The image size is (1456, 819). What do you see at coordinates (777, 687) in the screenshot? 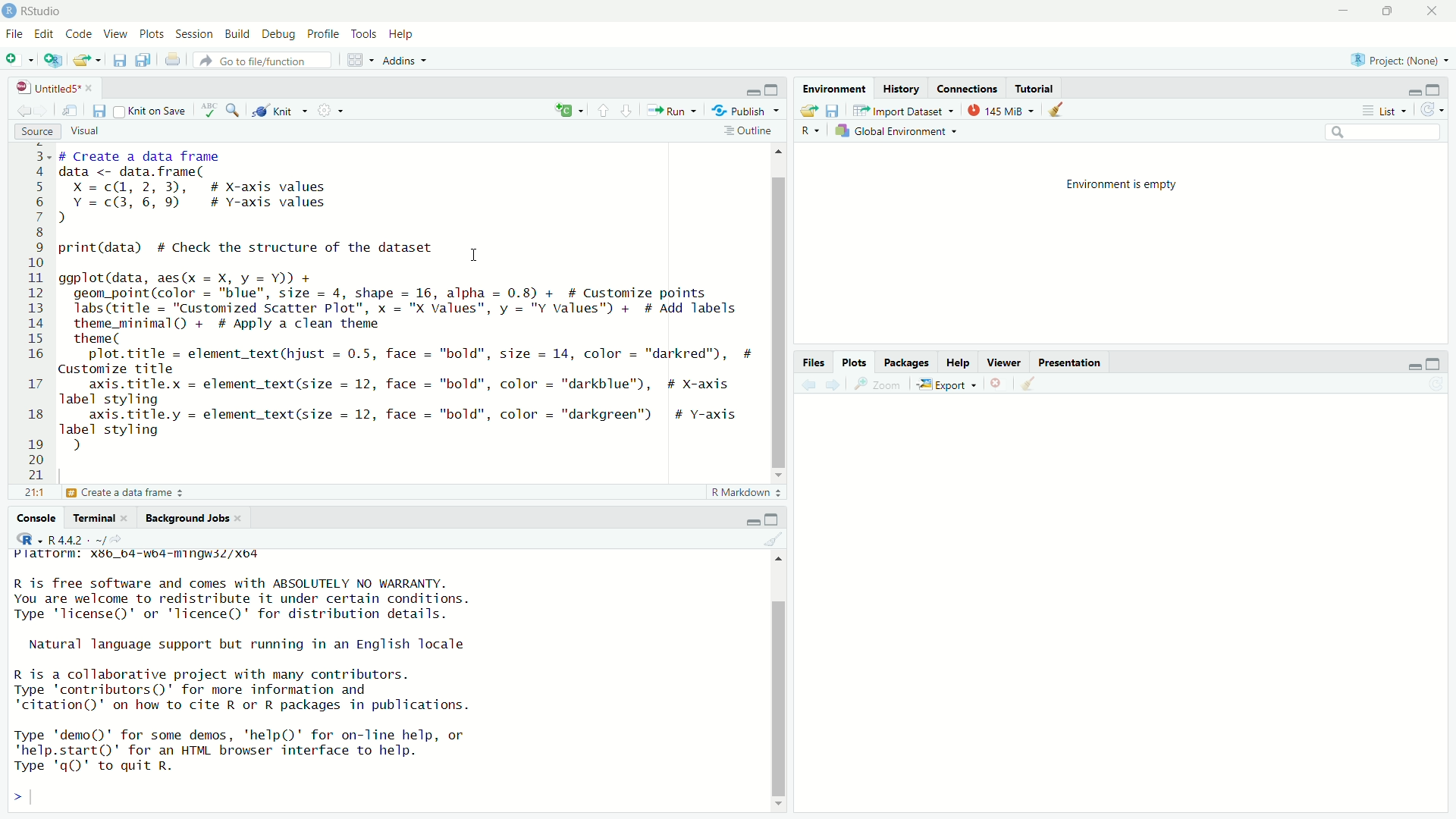
I see `Scrollbar` at bounding box center [777, 687].